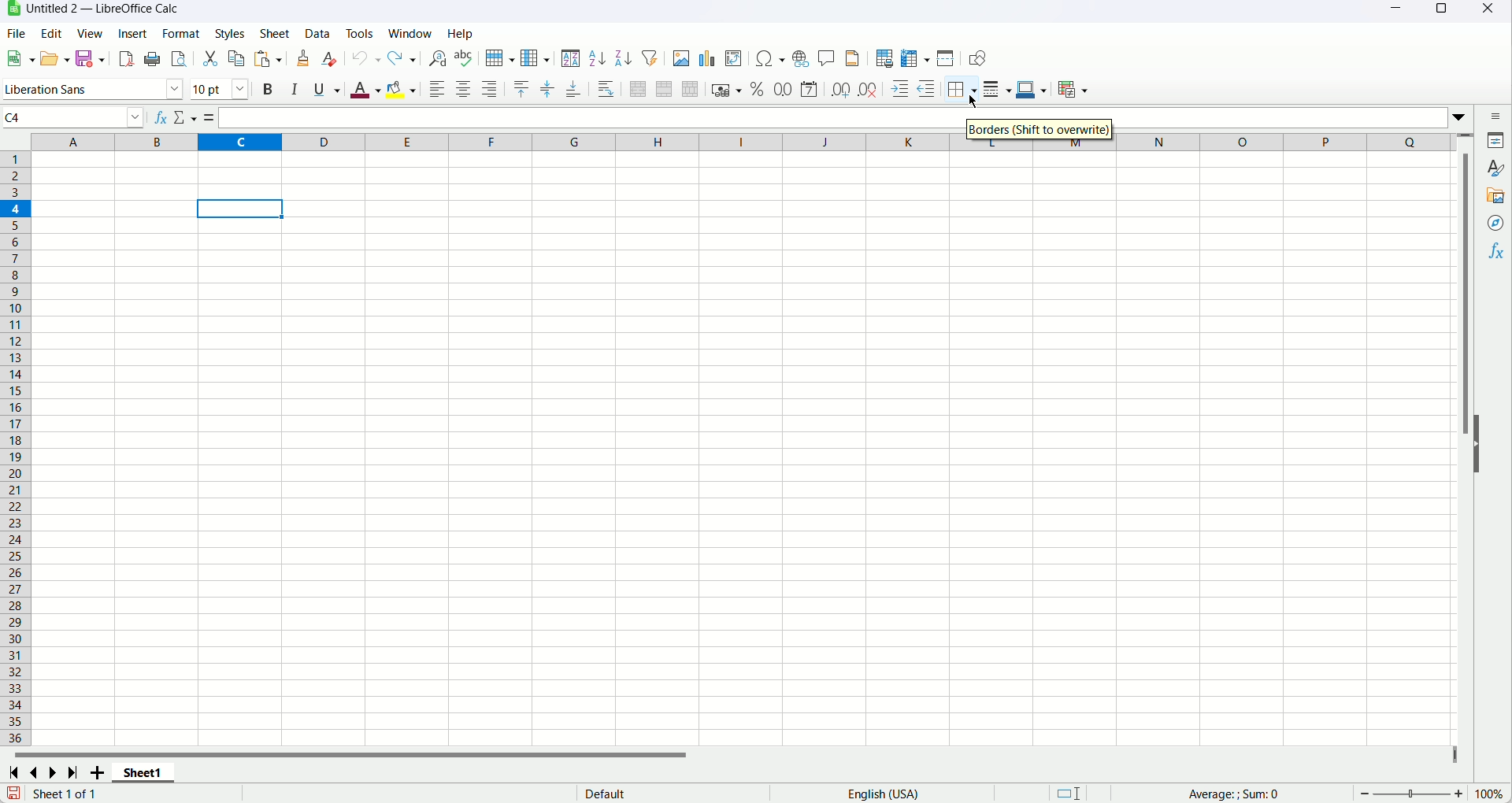 This screenshot has width=1512, height=803. What do you see at coordinates (359, 33) in the screenshot?
I see `Tools` at bounding box center [359, 33].